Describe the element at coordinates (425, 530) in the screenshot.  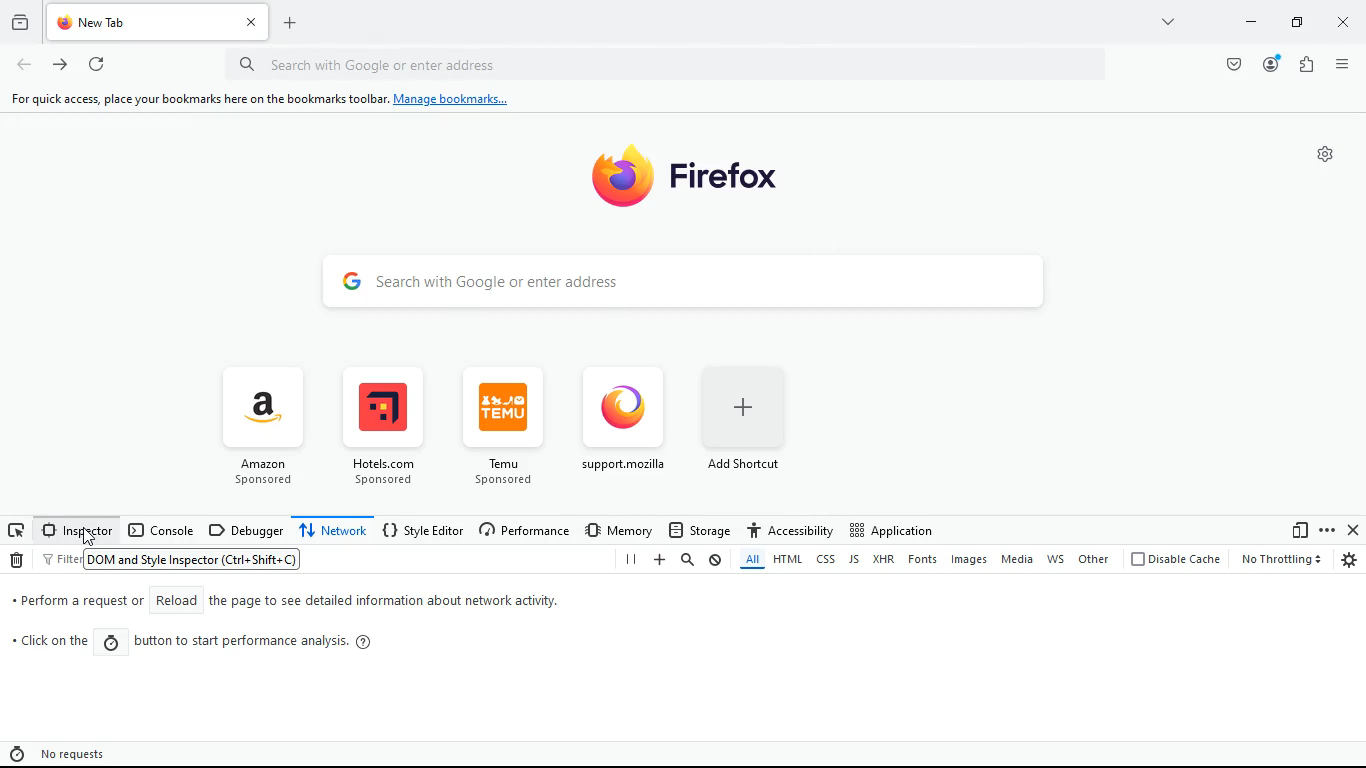
I see `style editor` at that location.